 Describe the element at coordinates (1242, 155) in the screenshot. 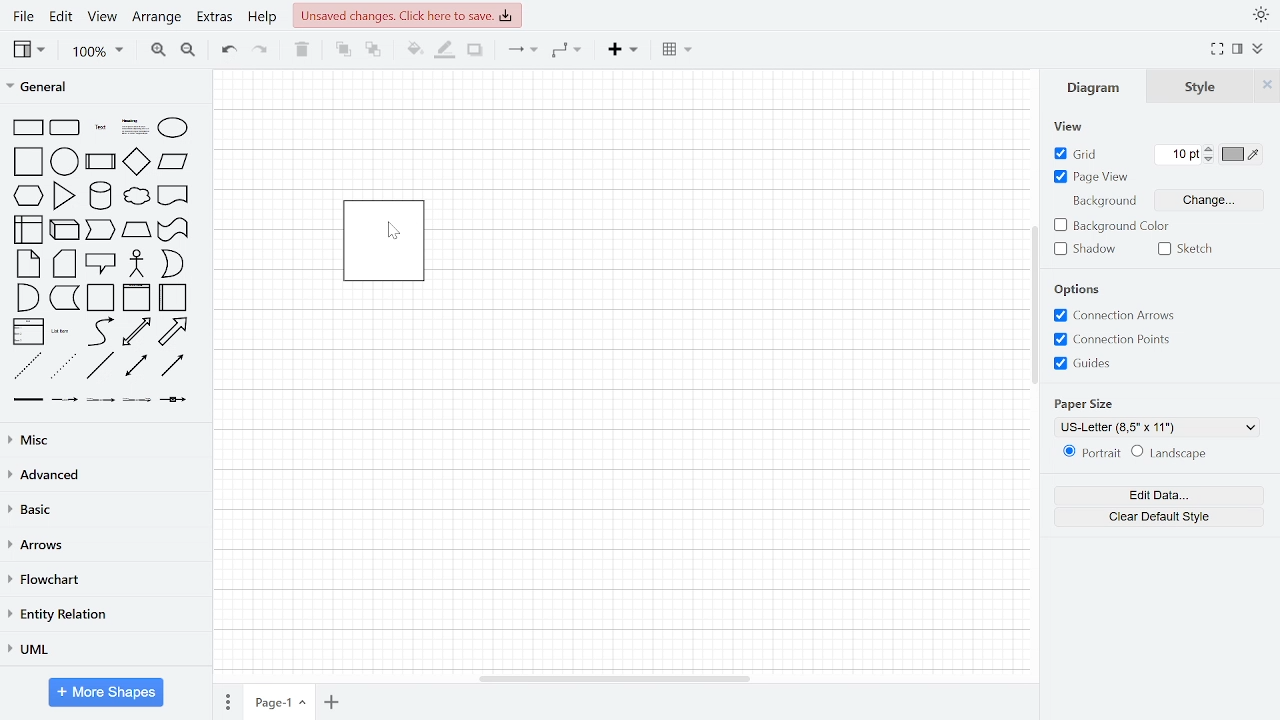

I see `grid color` at that location.